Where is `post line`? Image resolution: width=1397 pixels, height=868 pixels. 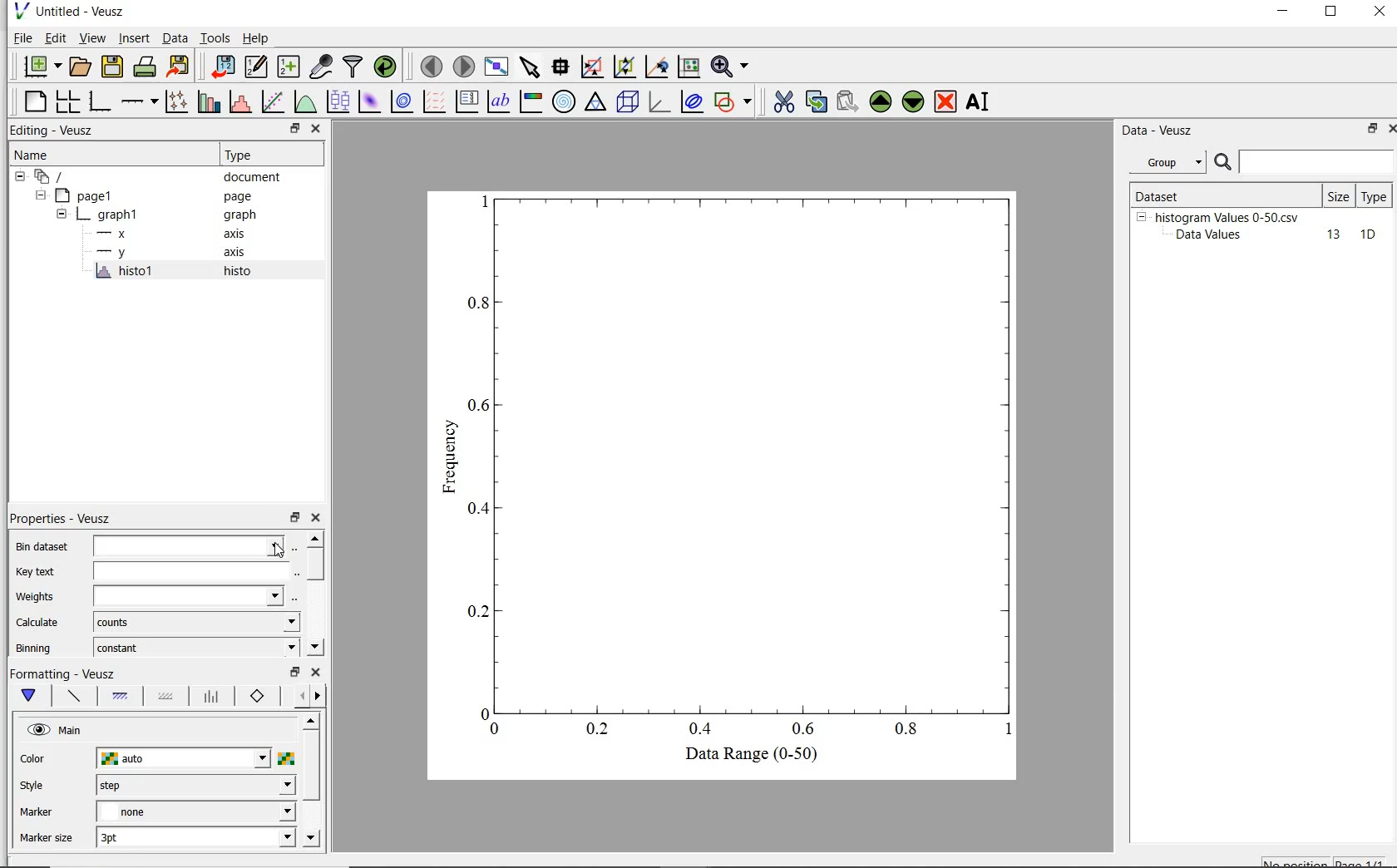
post line is located at coordinates (212, 697).